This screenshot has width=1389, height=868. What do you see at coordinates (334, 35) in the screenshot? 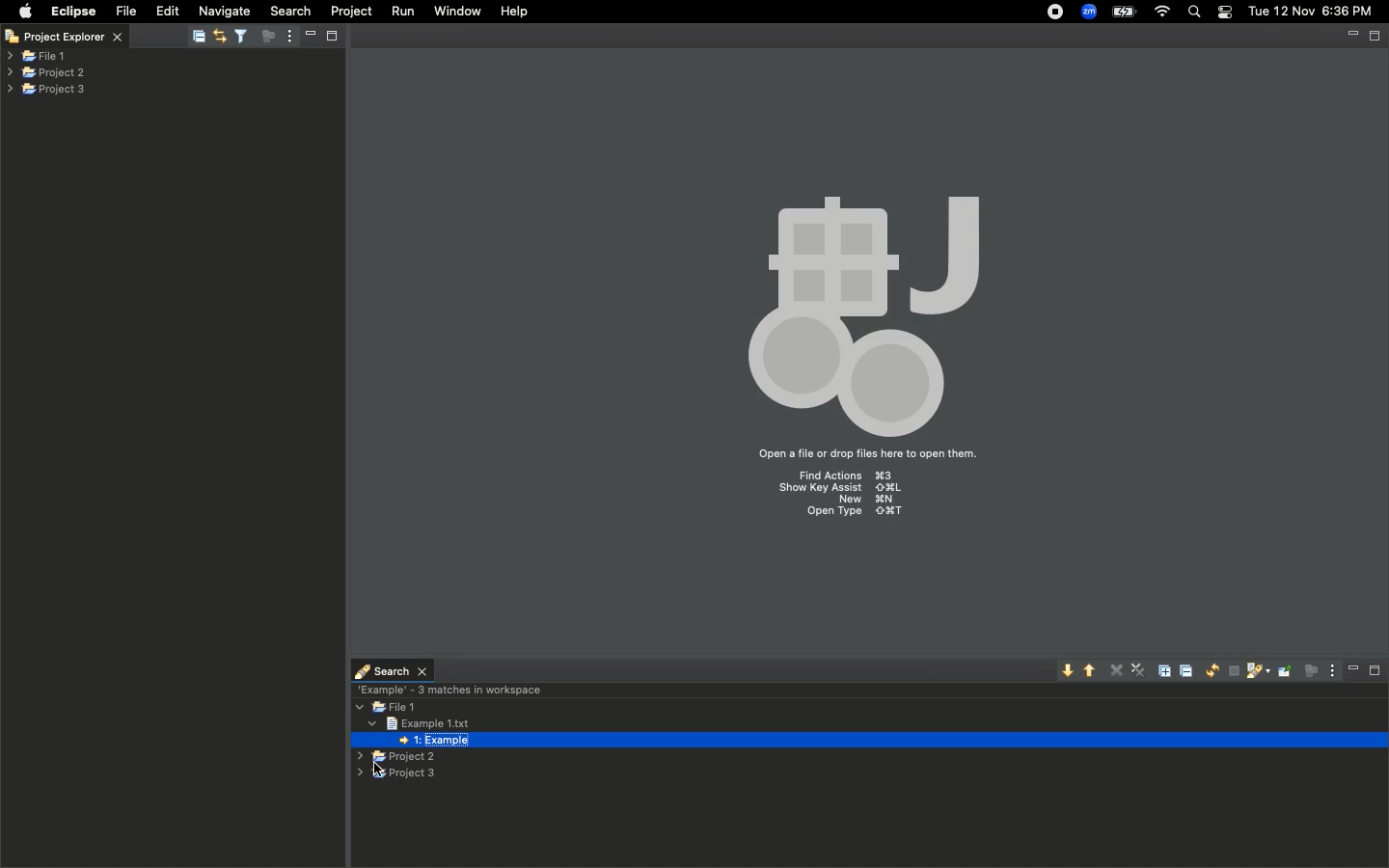
I see `maximize` at bounding box center [334, 35].